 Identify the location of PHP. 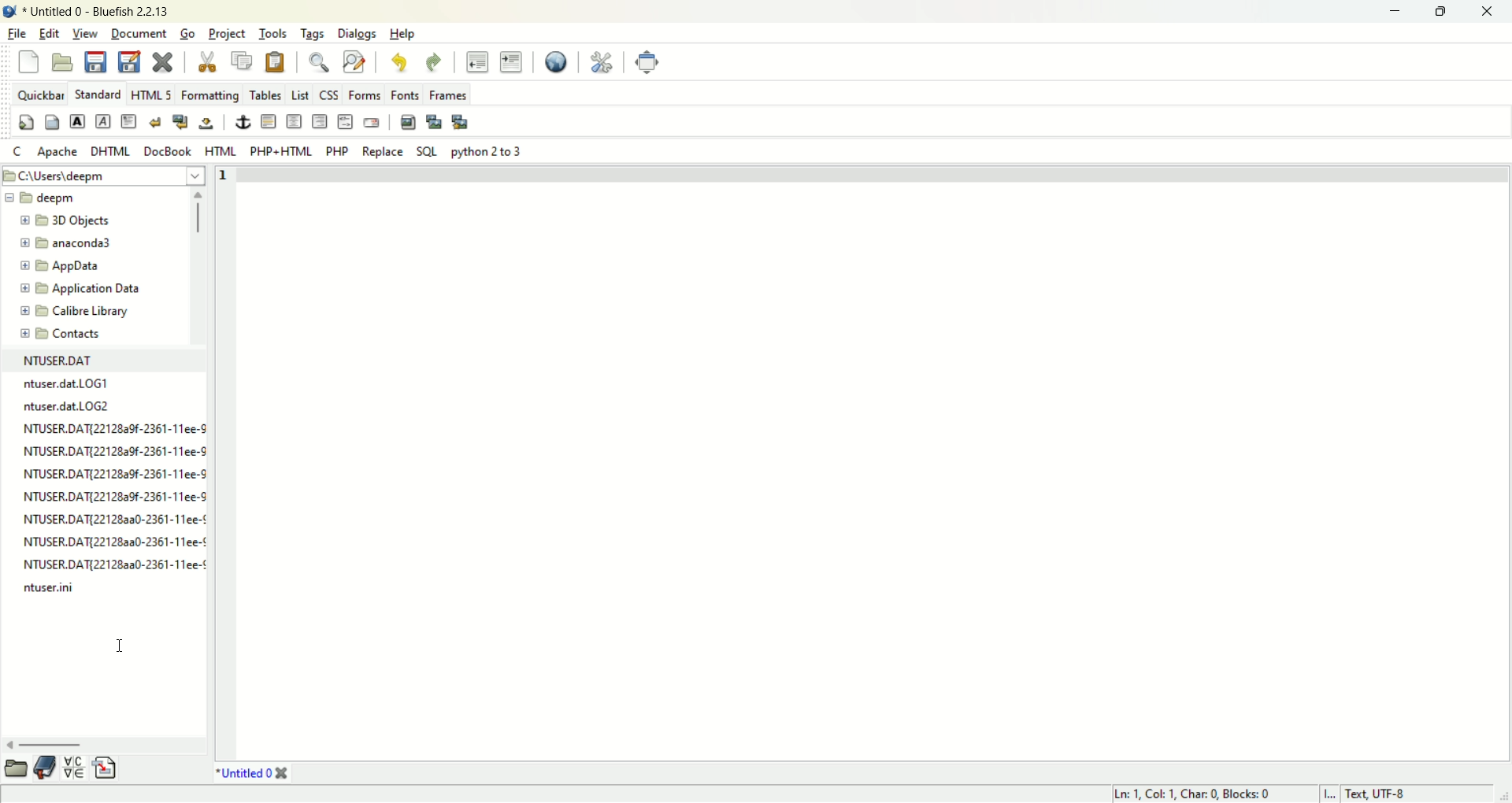
(335, 150).